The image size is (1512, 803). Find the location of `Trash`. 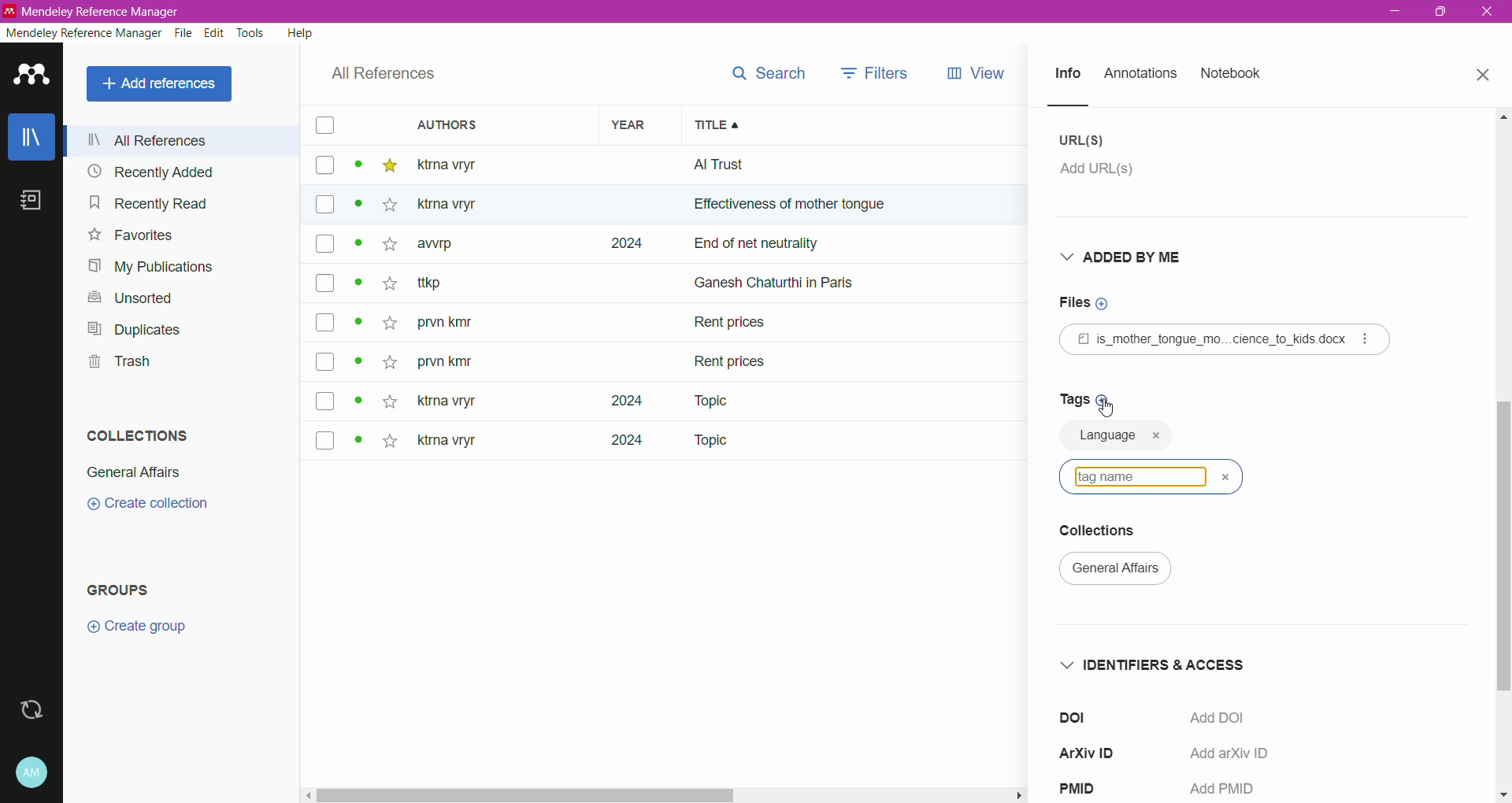

Trash is located at coordinates (117, 361).